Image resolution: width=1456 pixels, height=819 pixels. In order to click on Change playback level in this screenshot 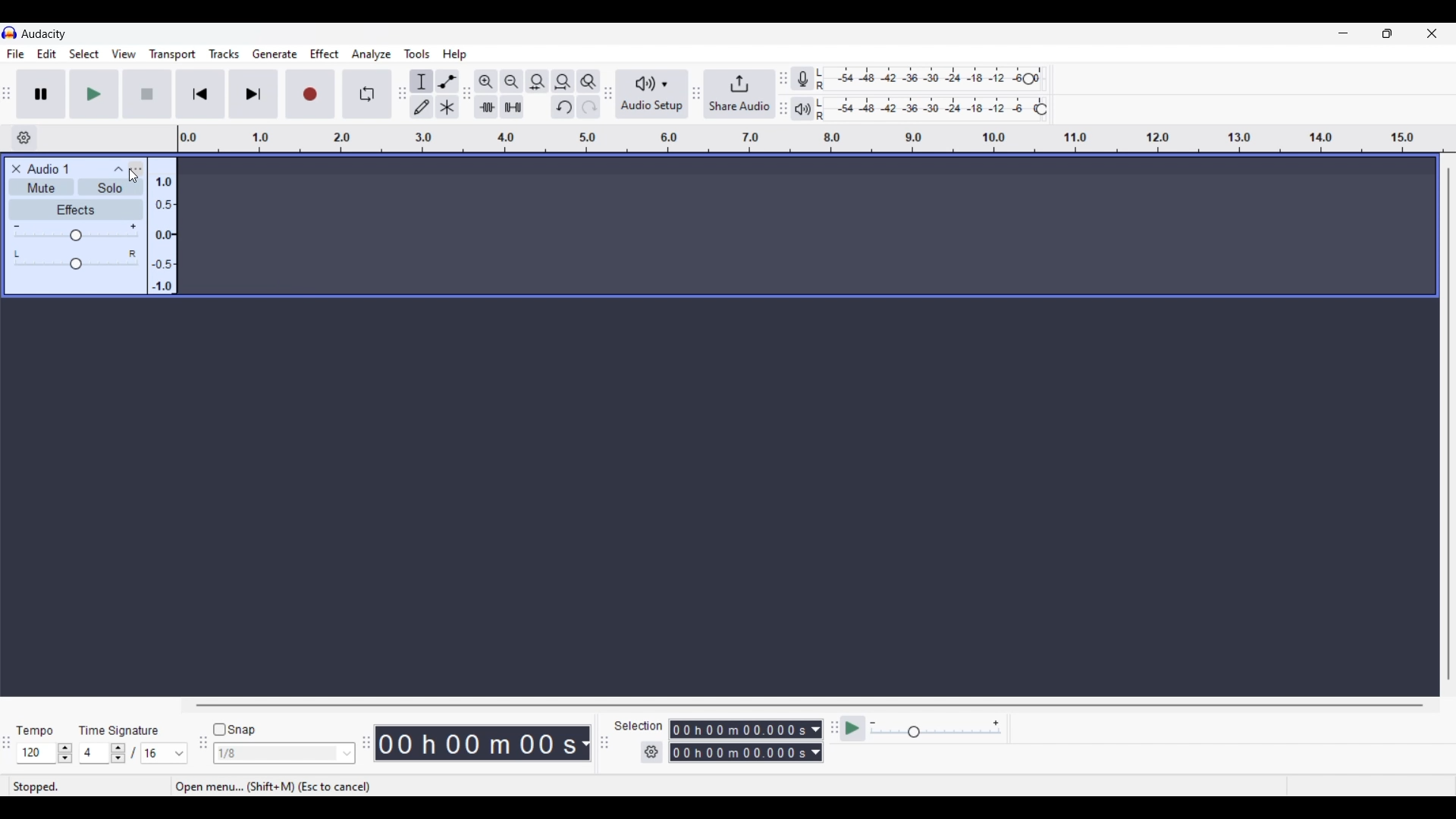, I will do `click(1041, 110)`.